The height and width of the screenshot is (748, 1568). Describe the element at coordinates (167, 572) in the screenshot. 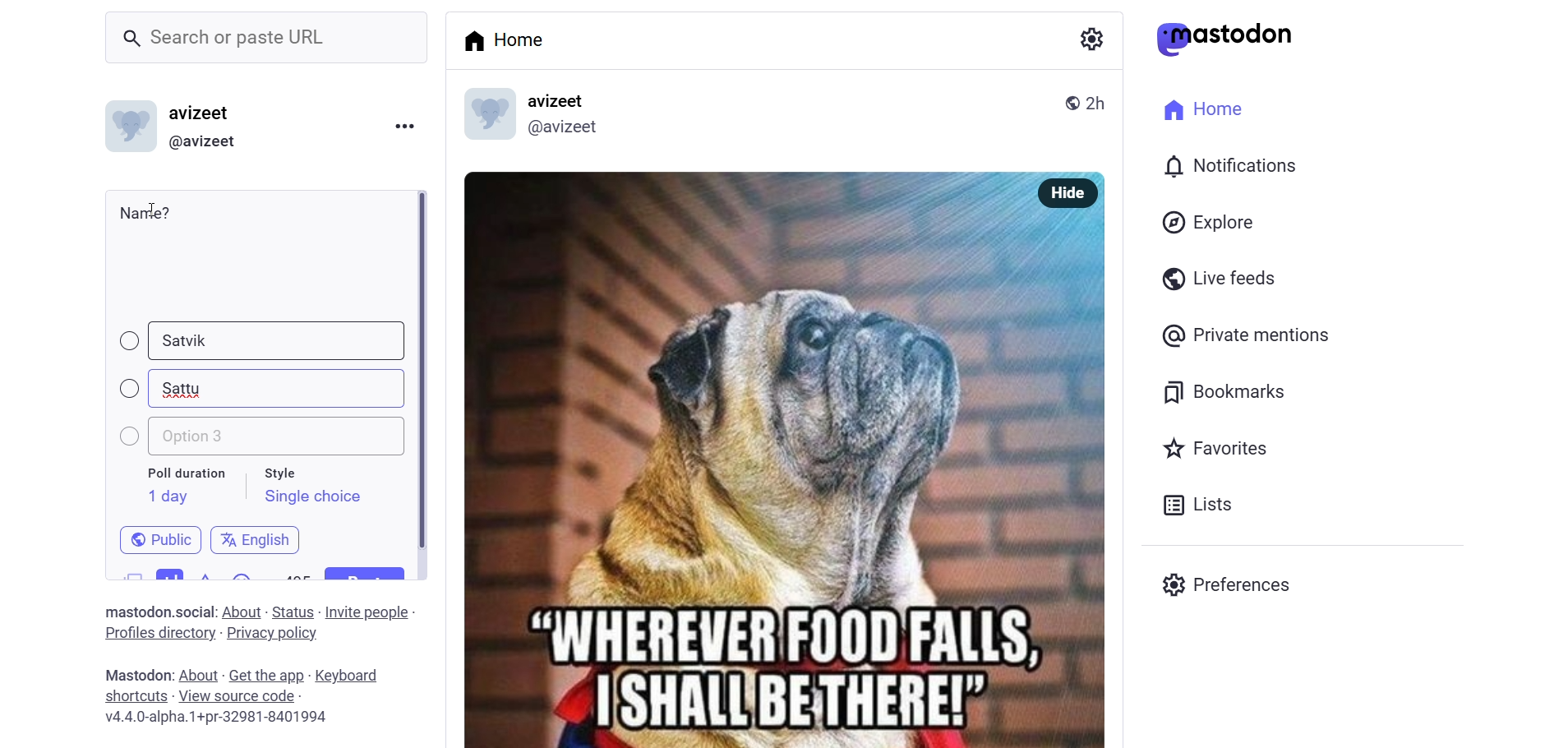

I see `poll` at that location.